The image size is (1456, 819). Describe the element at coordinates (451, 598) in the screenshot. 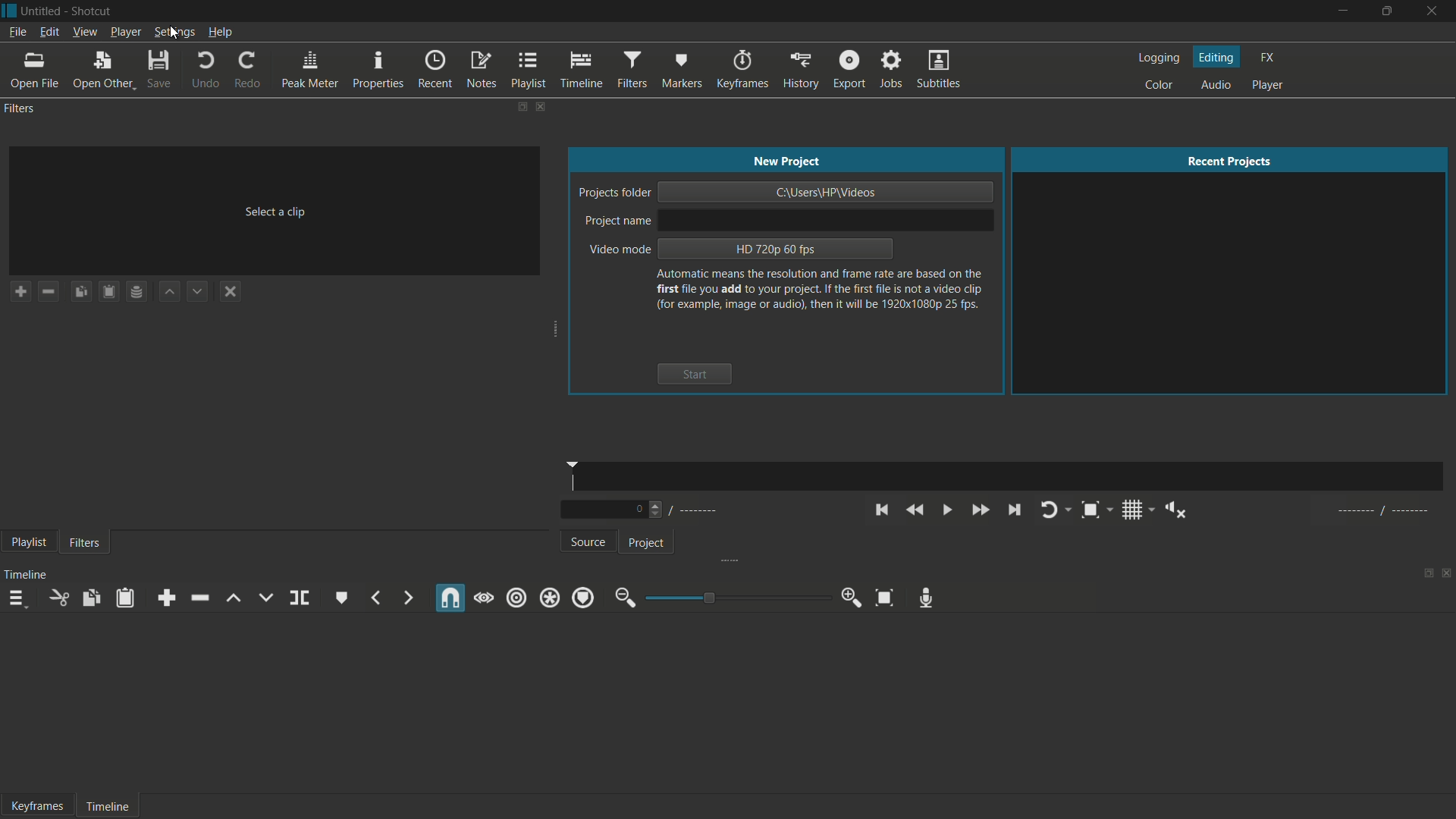

I see `snap` at that location.